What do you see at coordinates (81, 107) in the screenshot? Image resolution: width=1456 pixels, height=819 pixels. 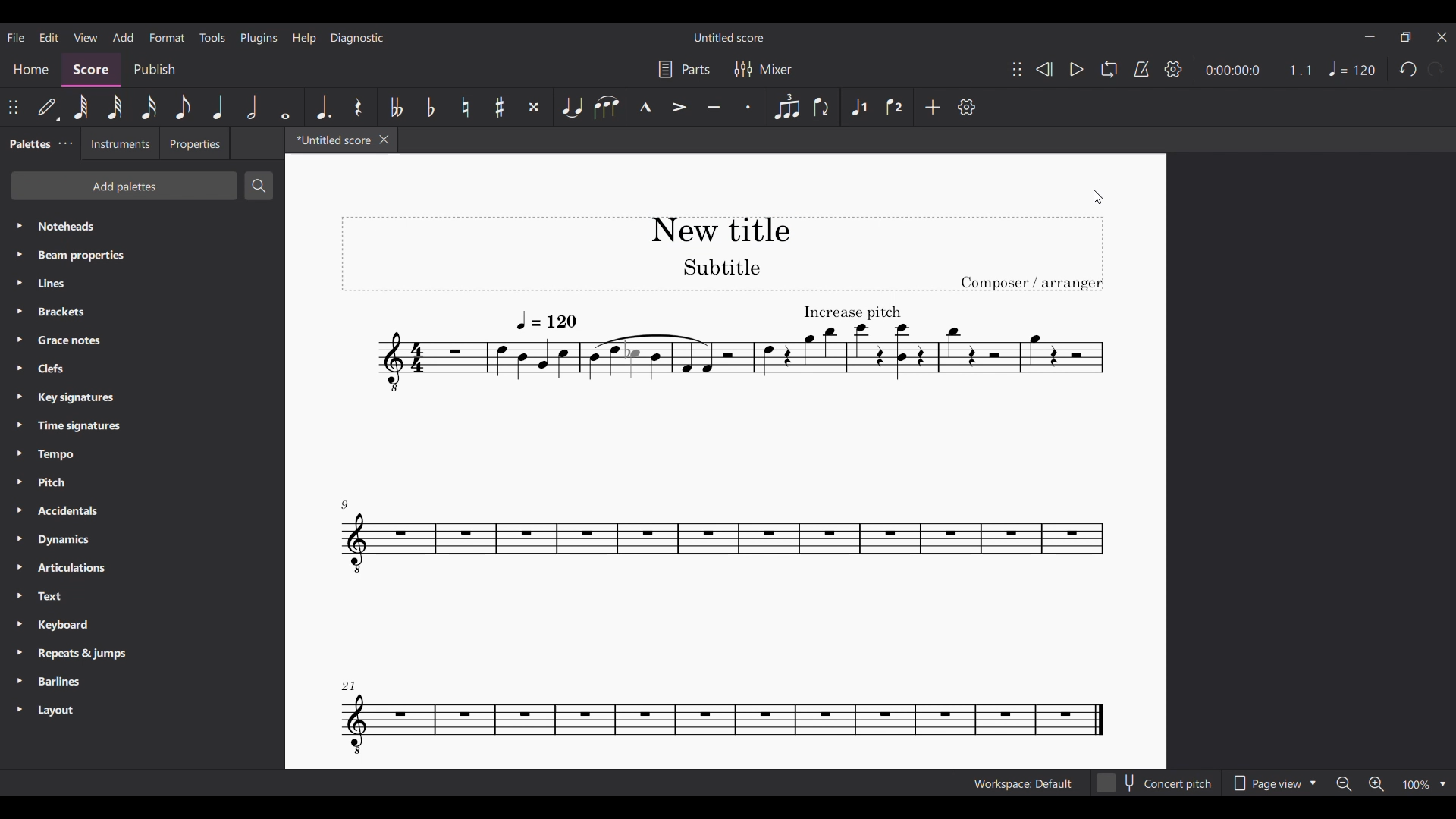 I see `64th note` at bounding box center [81, 107].